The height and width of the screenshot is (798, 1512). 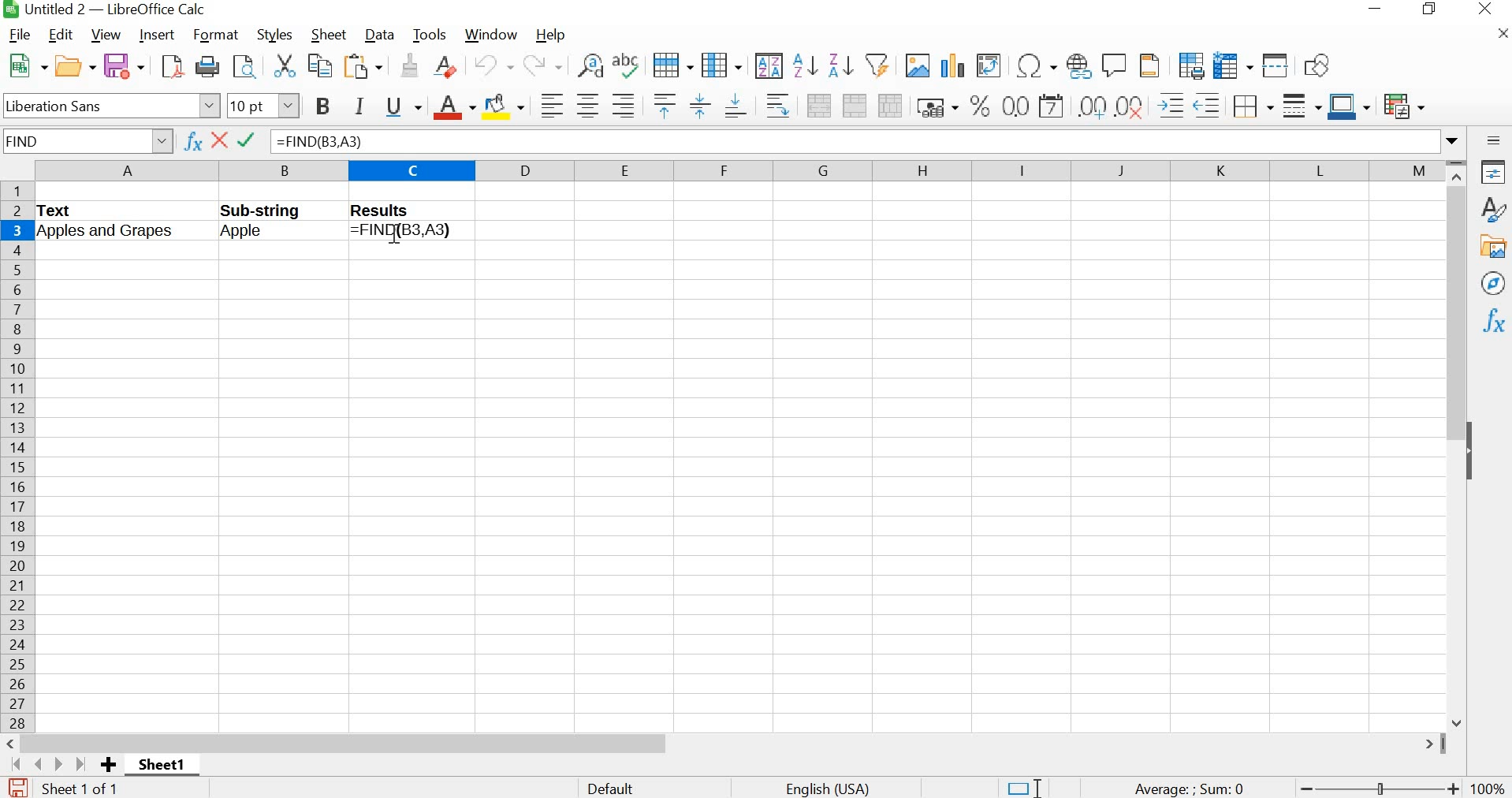 What do you see at coordinates (698, 106) in the screenshot?
I see `center vertically` at bounding box center [698, 106].